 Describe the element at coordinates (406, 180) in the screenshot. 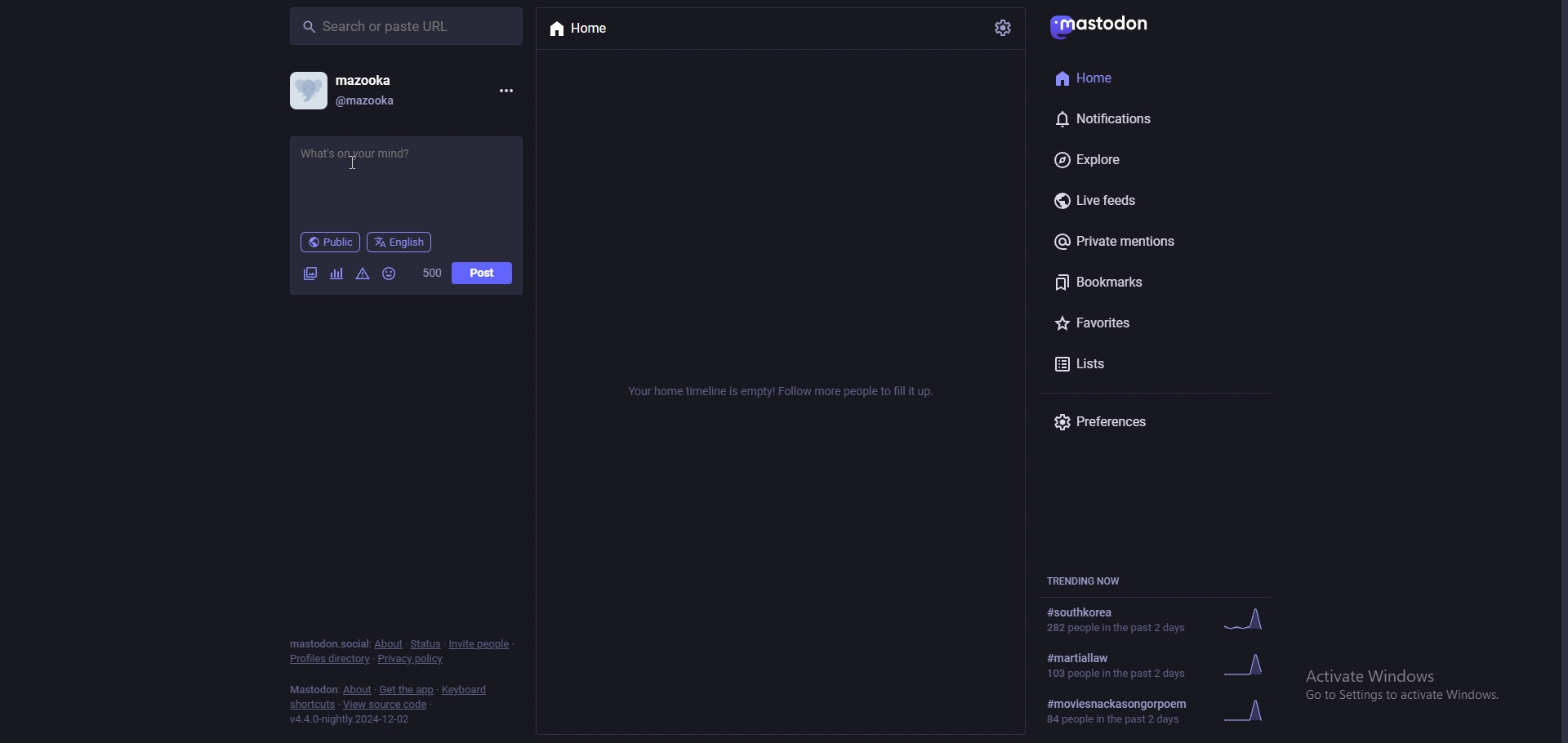

I see `status input` at that location.